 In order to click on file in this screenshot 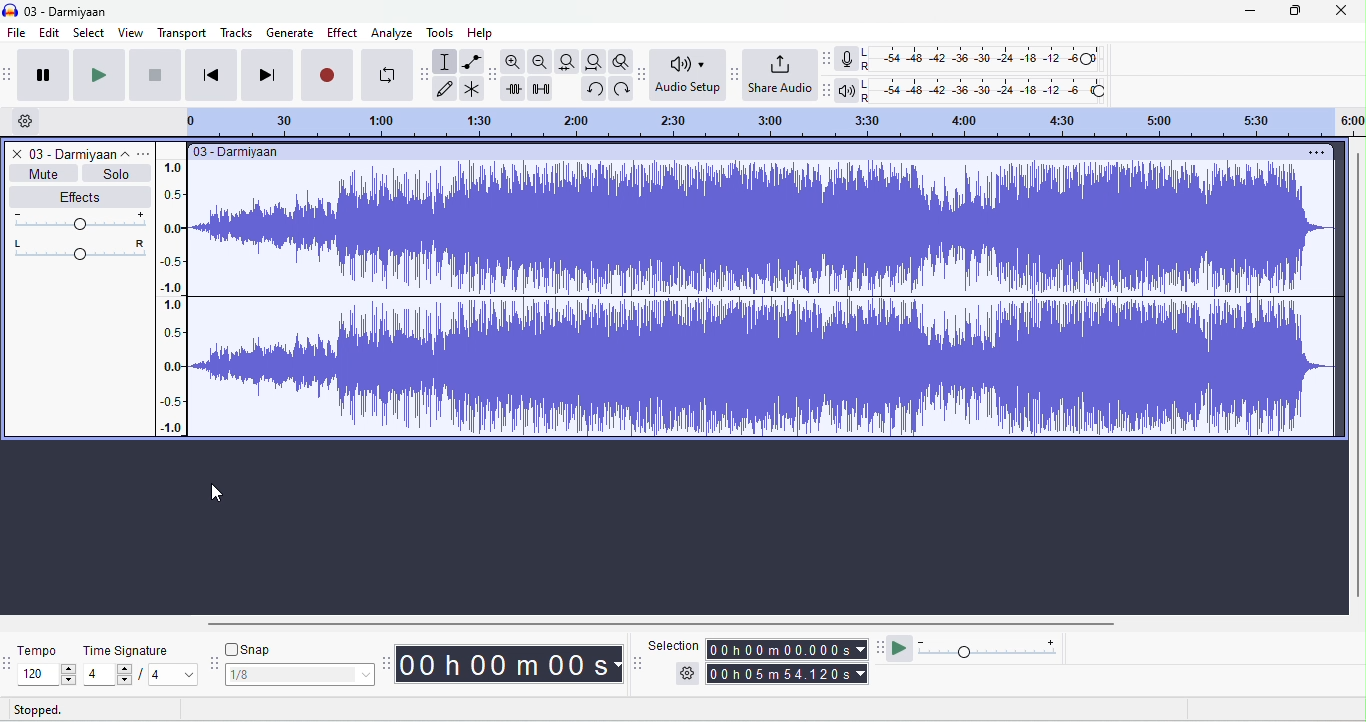, I will do `click(17, 34)`.